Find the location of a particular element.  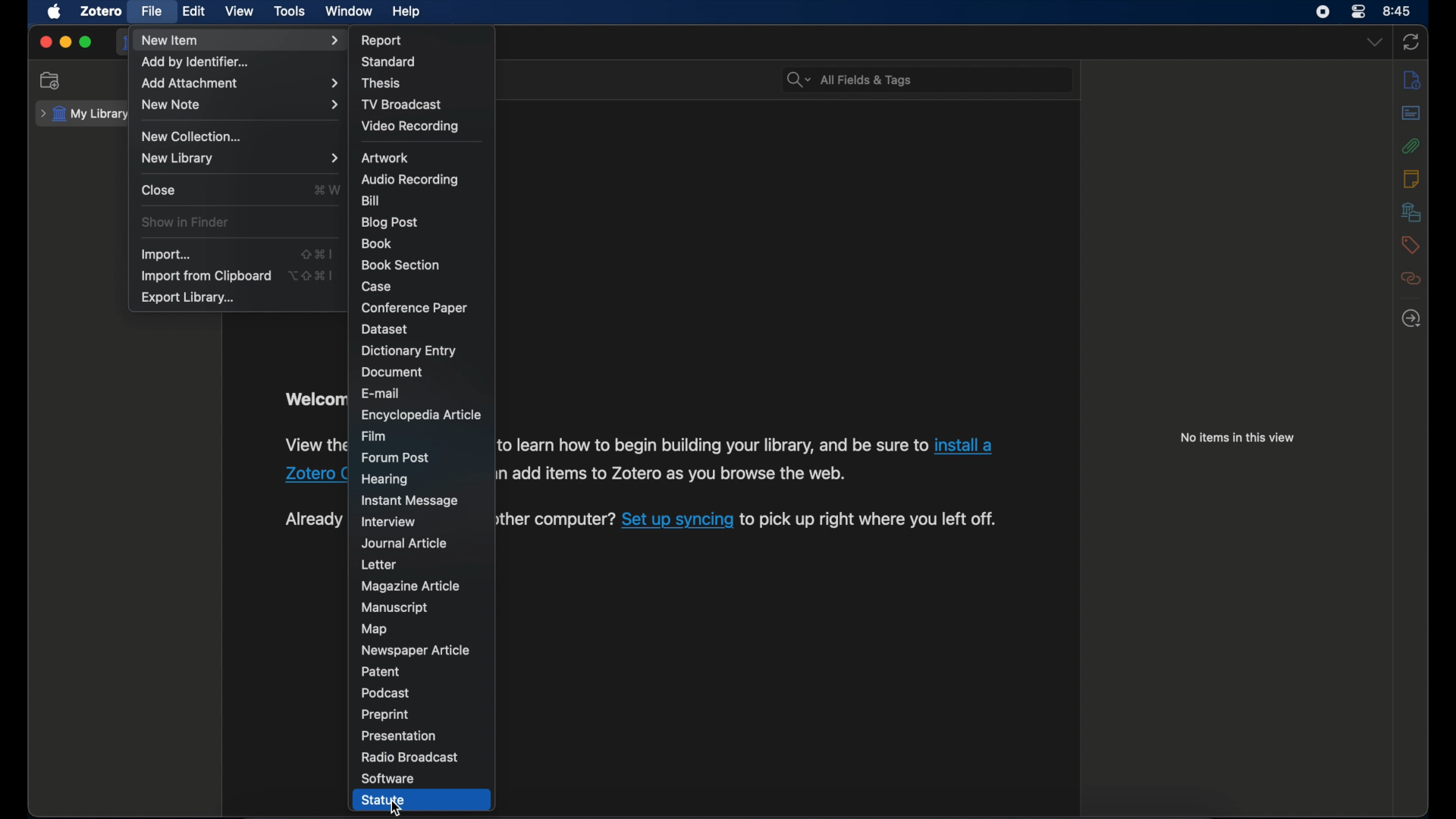

conference paper is located at coordinates (415, 308).